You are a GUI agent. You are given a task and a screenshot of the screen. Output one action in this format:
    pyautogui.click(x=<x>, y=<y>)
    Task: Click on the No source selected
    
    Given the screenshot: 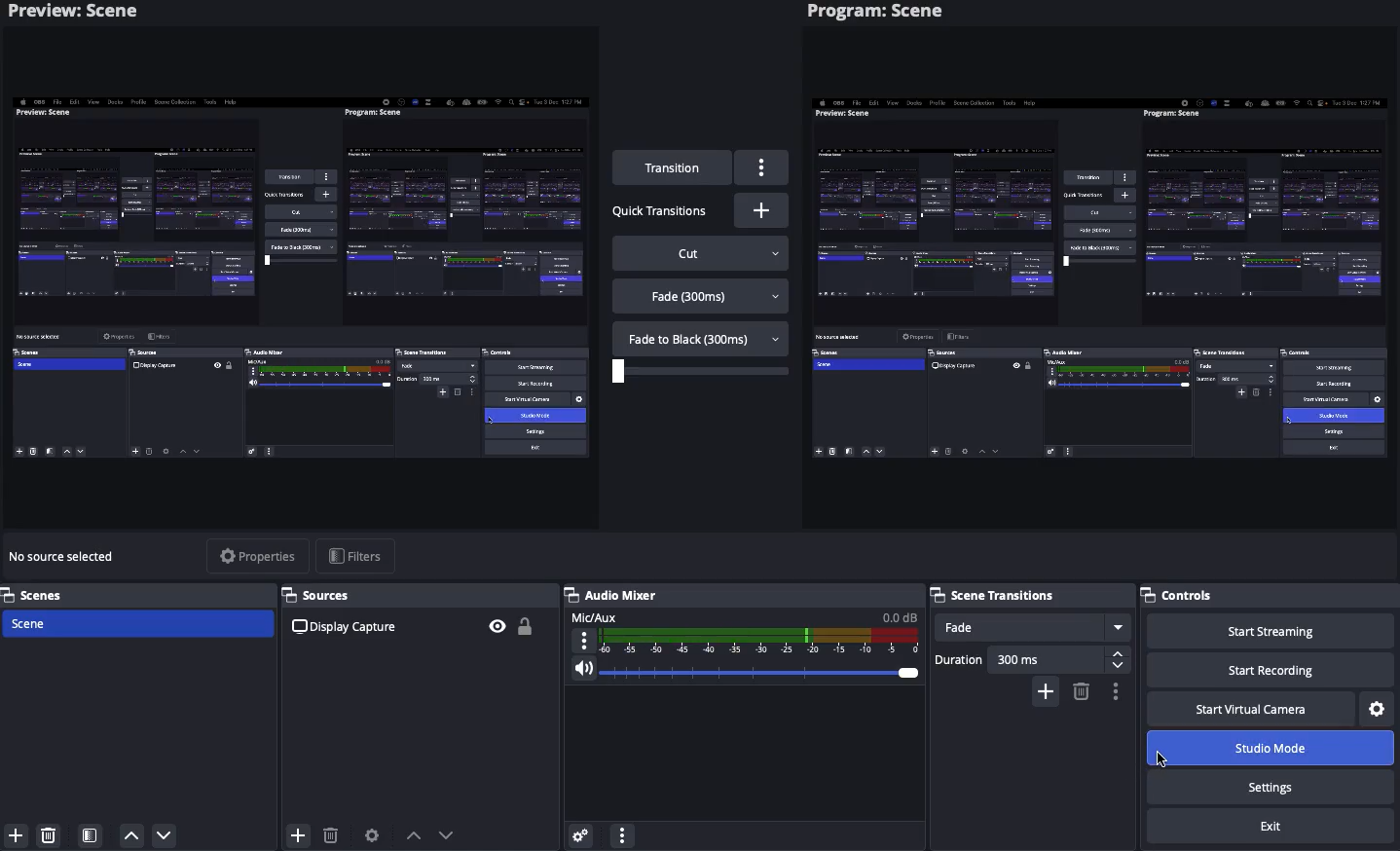 What is the action you would take?
    pyautogui.click(x=66, y=557)
    